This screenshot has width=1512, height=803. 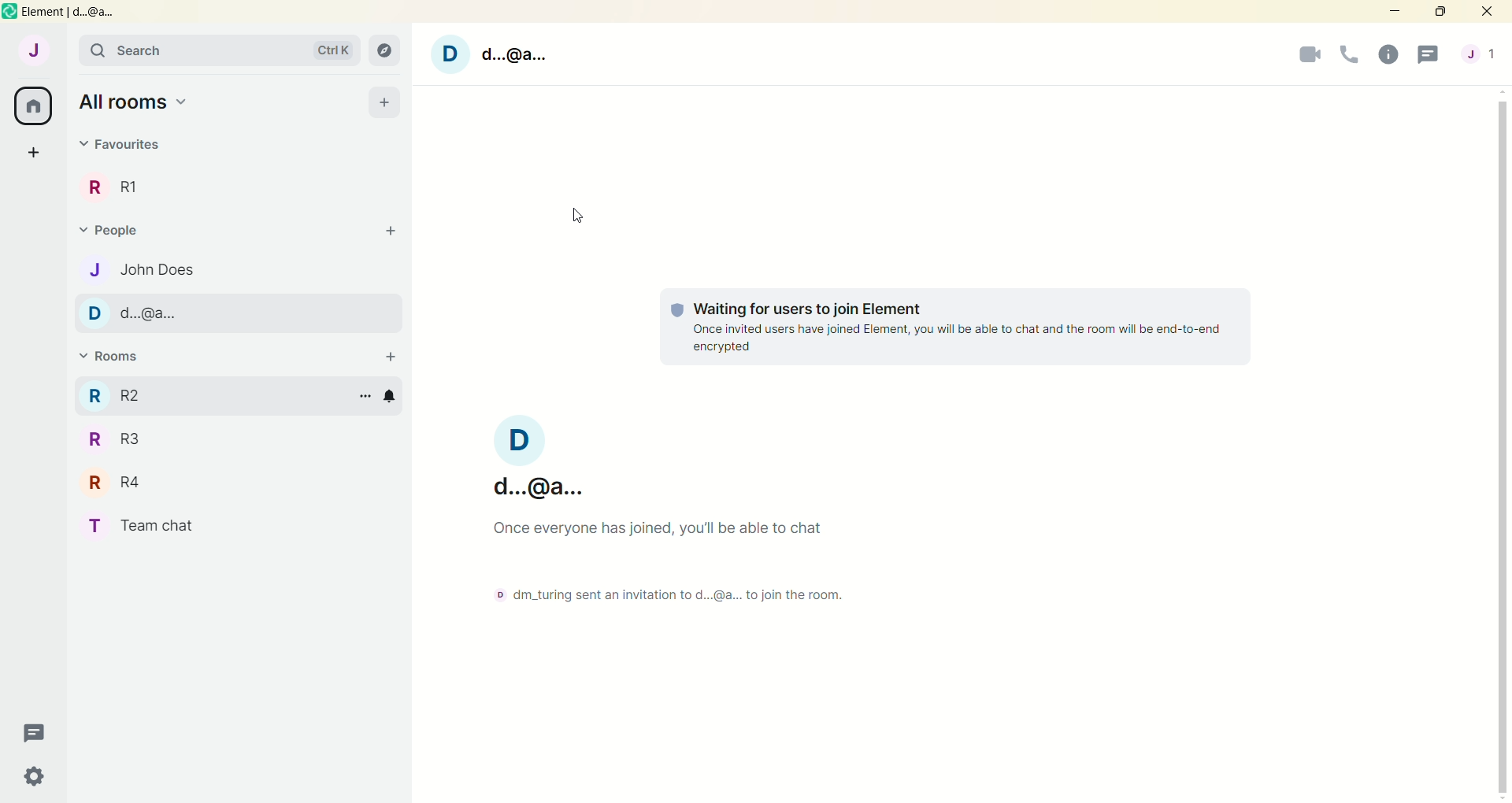 I want to click on © Waiting for users to join Element
Once invited users have joined Element, you will be able to chat and the room will be end-to-end
encrypted, so click(x=960, y=327).